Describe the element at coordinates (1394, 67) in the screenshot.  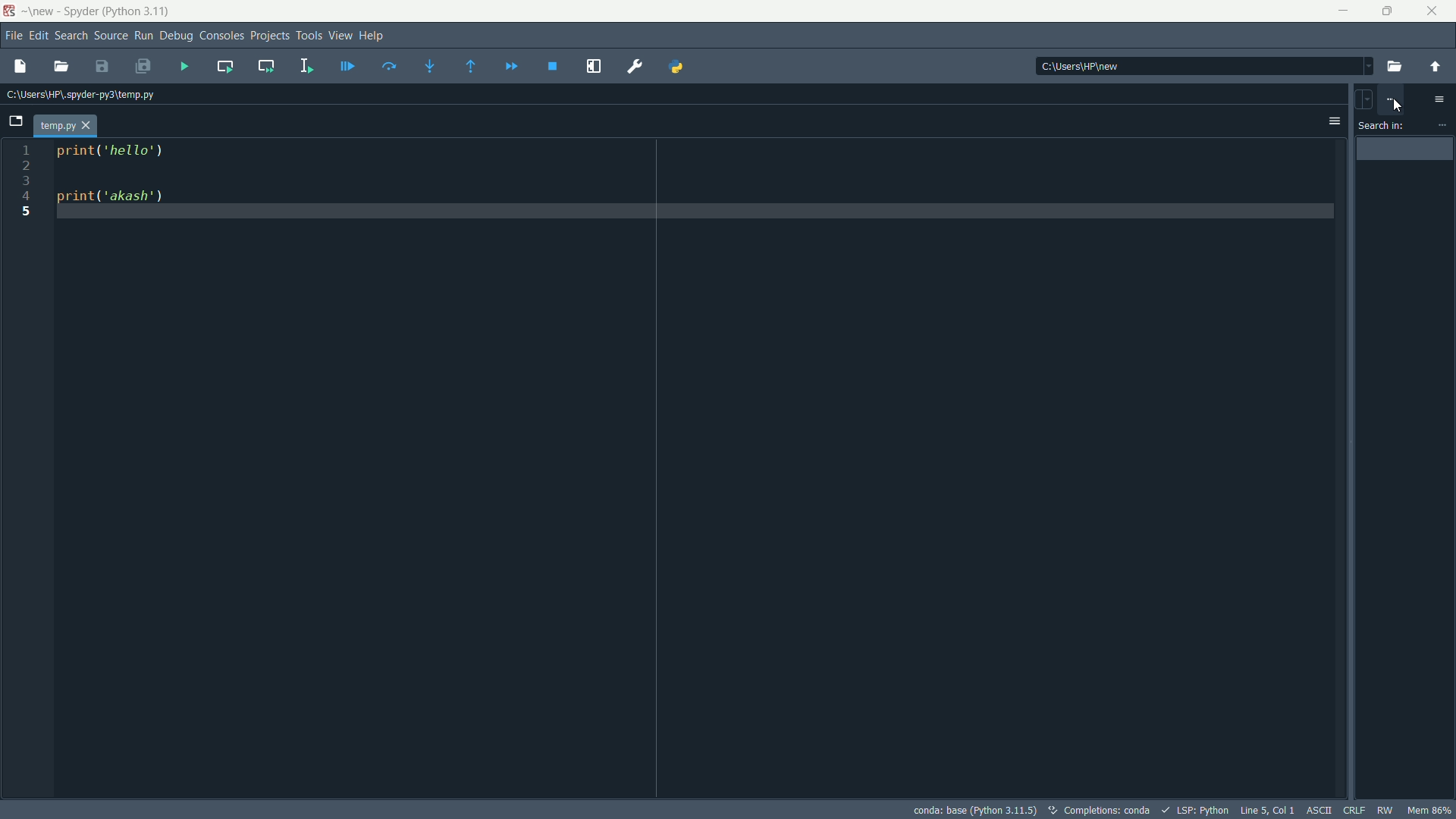
I see `browse directory` at that location.